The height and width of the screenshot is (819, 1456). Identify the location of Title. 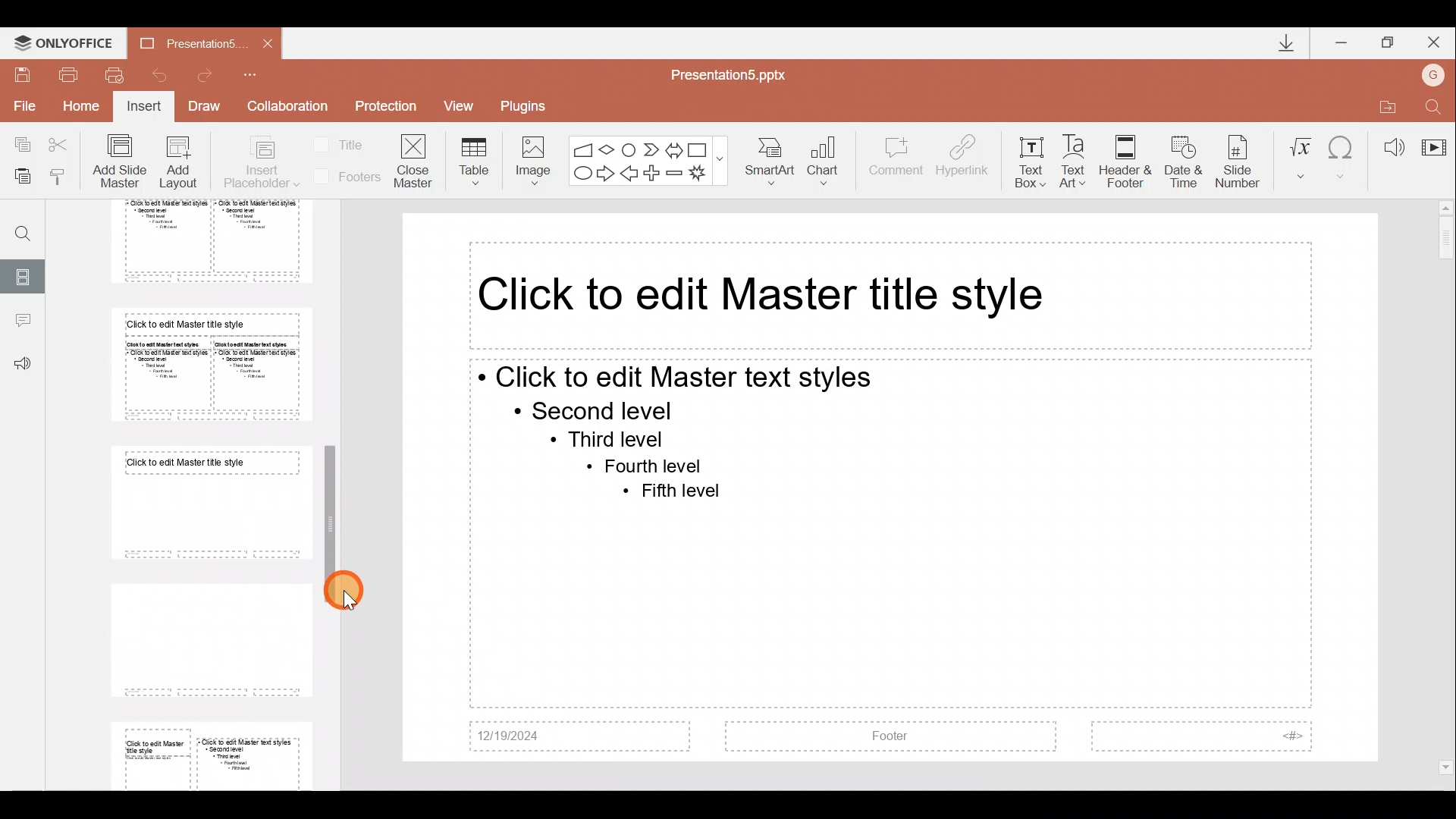
(343, 143).